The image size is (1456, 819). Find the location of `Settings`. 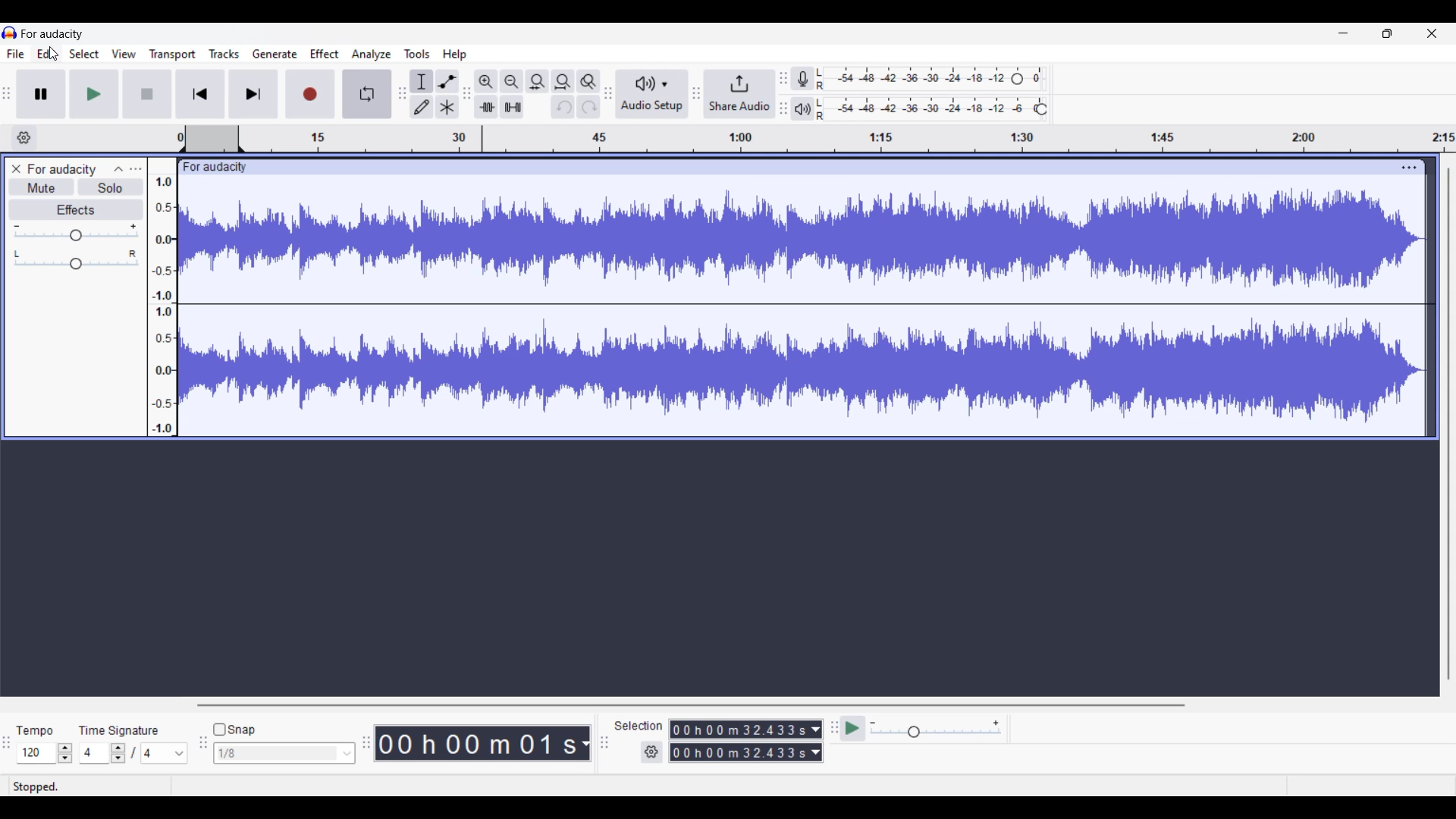

Settings is located at coordinates (652, 752).